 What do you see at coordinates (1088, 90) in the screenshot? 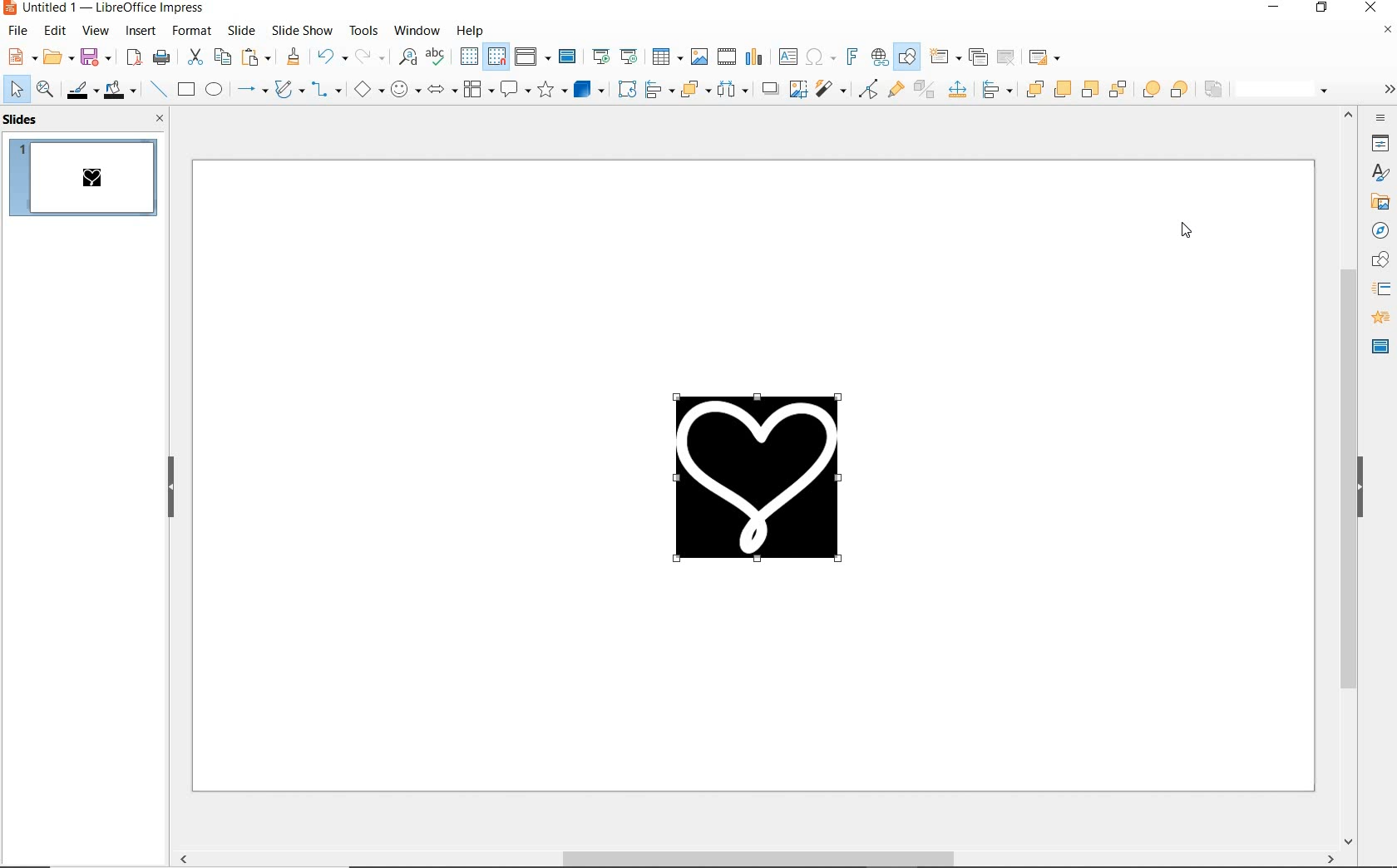
I see `send backward` at bounding box center [1088, 90].